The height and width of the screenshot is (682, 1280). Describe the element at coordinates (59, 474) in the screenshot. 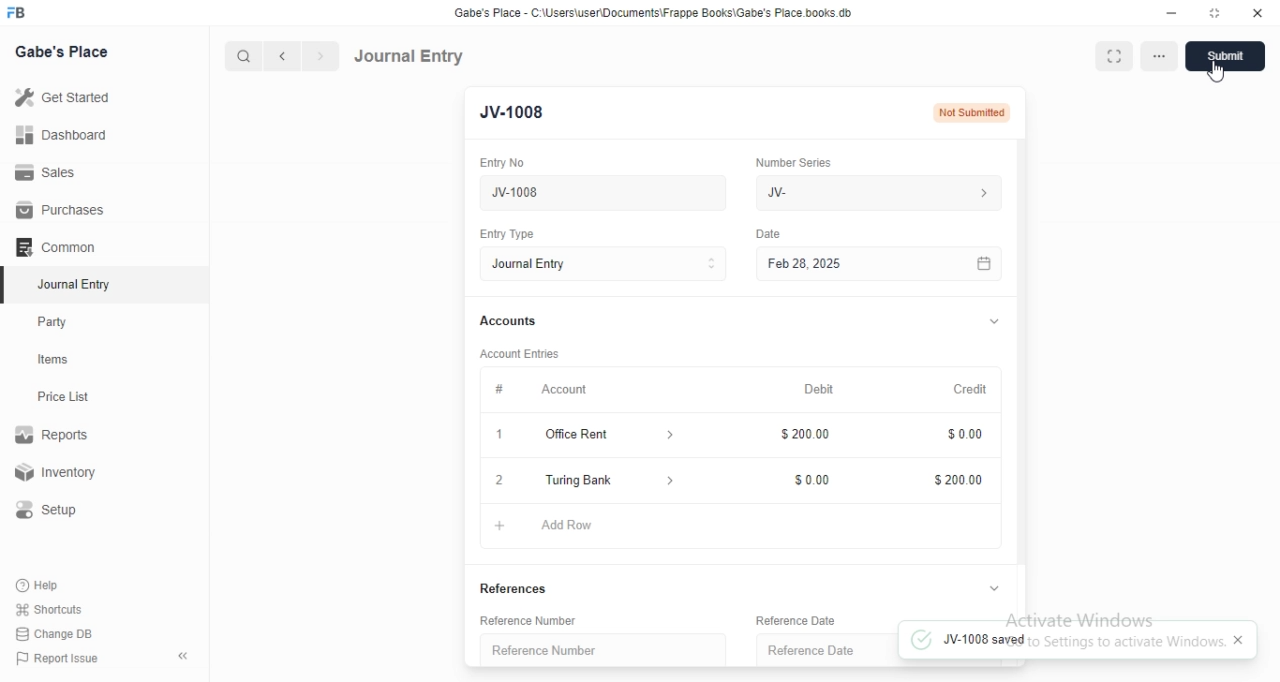

I see `Inventory` at that location.